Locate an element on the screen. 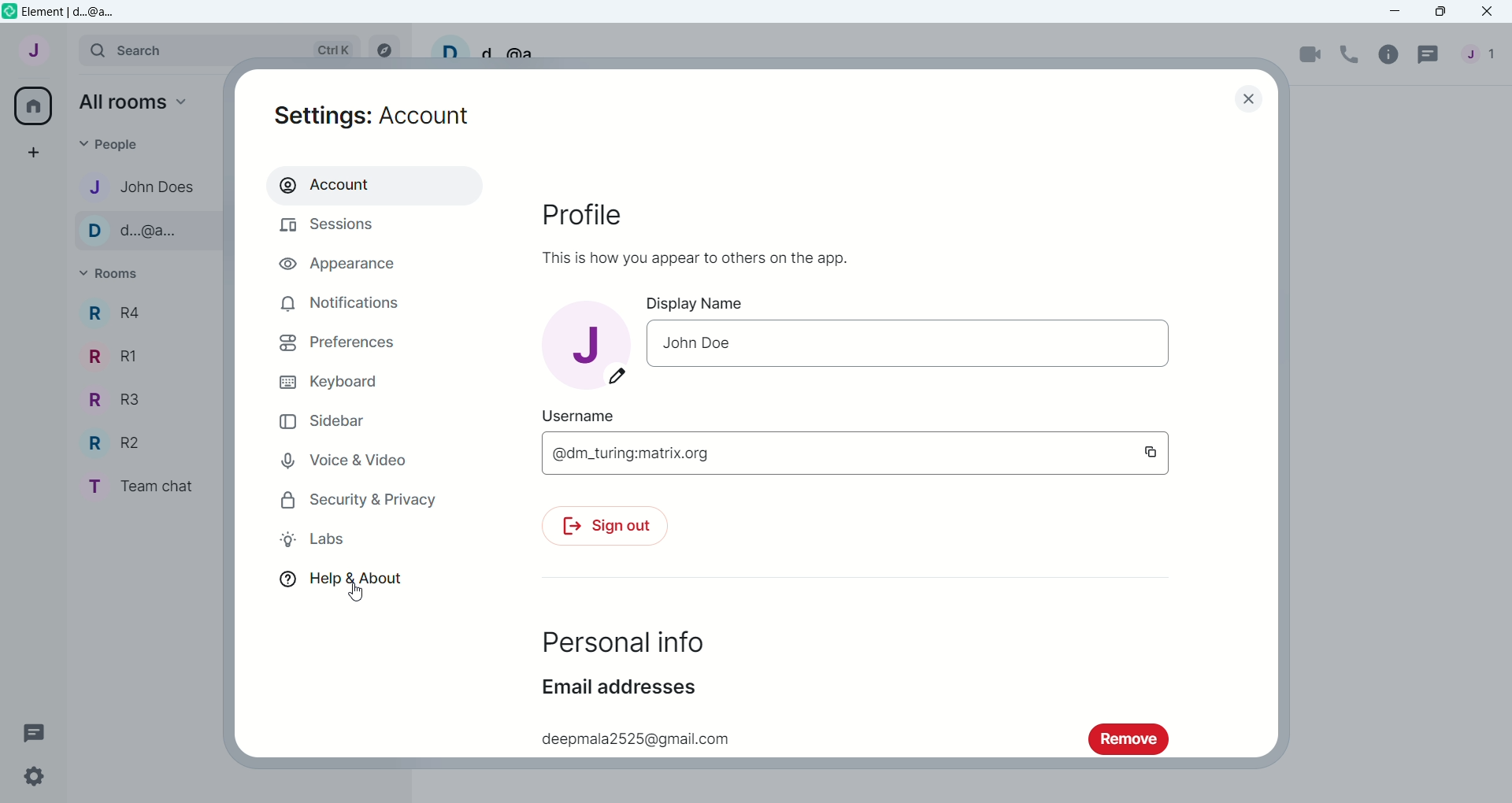 This screenshot has width=1512, height=803. Remove is located at coordinates (1127, 739).